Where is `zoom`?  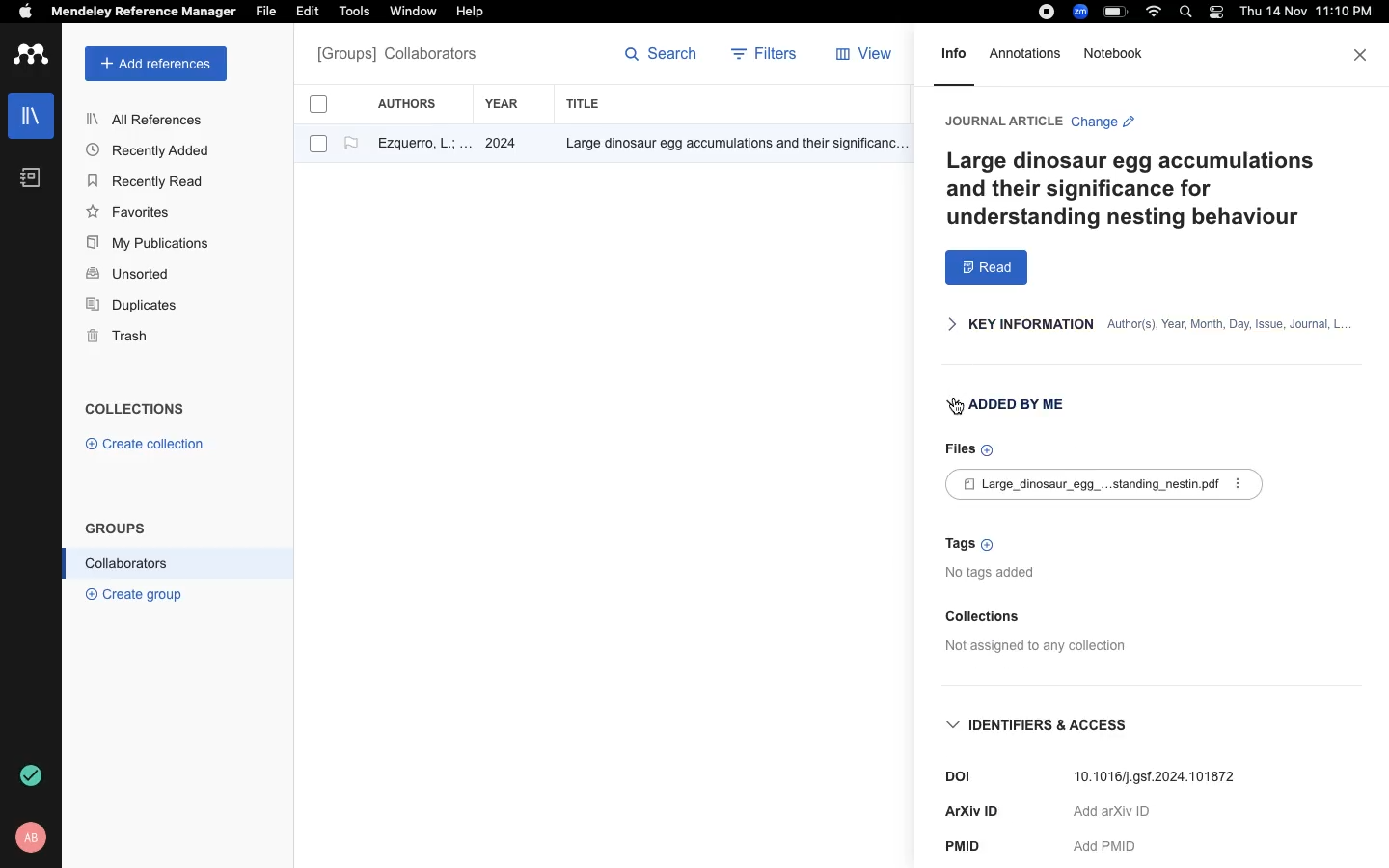 zoom is located at coordinates (1083, 12).